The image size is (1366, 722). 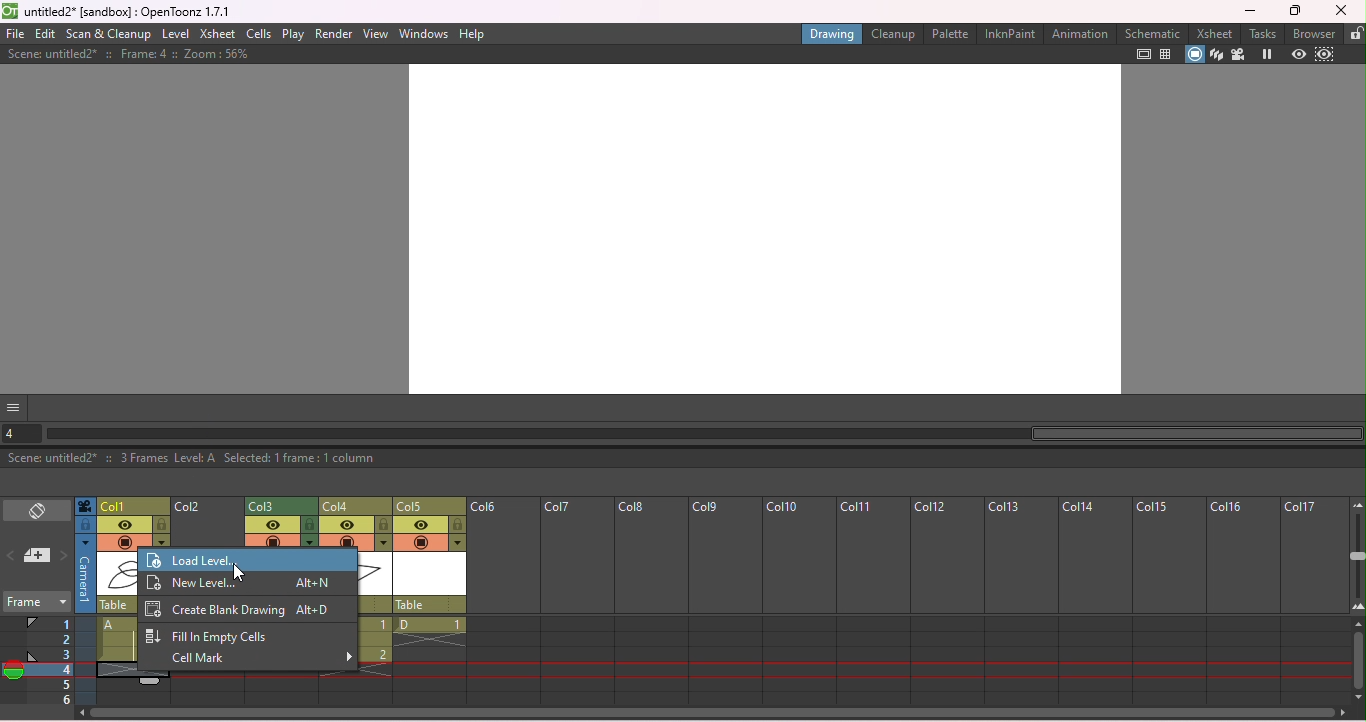 What do you see at coordinates (124, 525) in the screenshot?
I see `Preview visibility toggle` at bounding box center [124, 525].